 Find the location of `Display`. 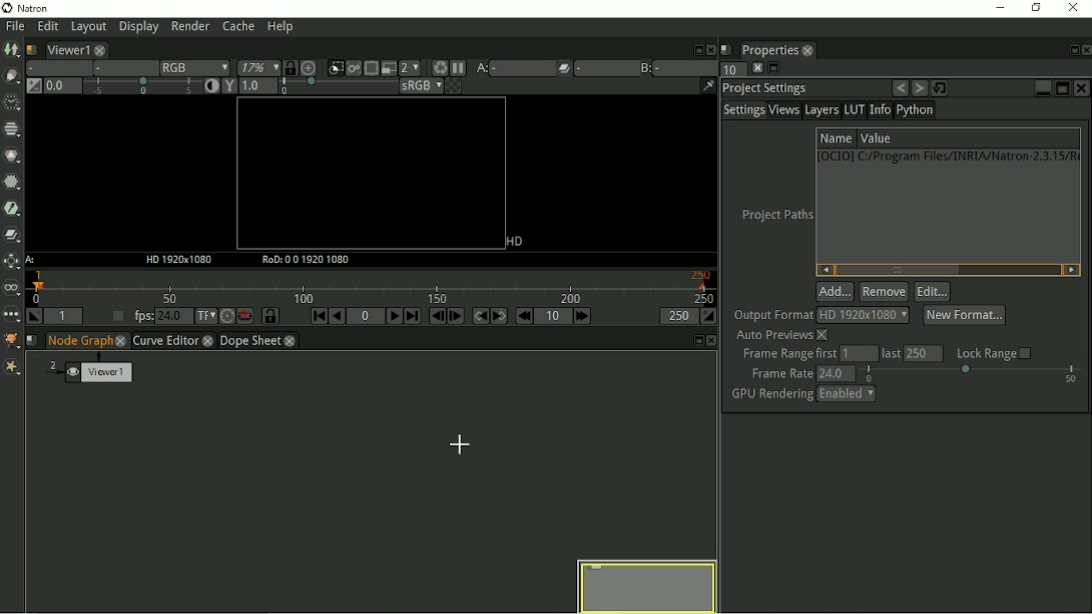

Display is located at coordinates (139, 28).